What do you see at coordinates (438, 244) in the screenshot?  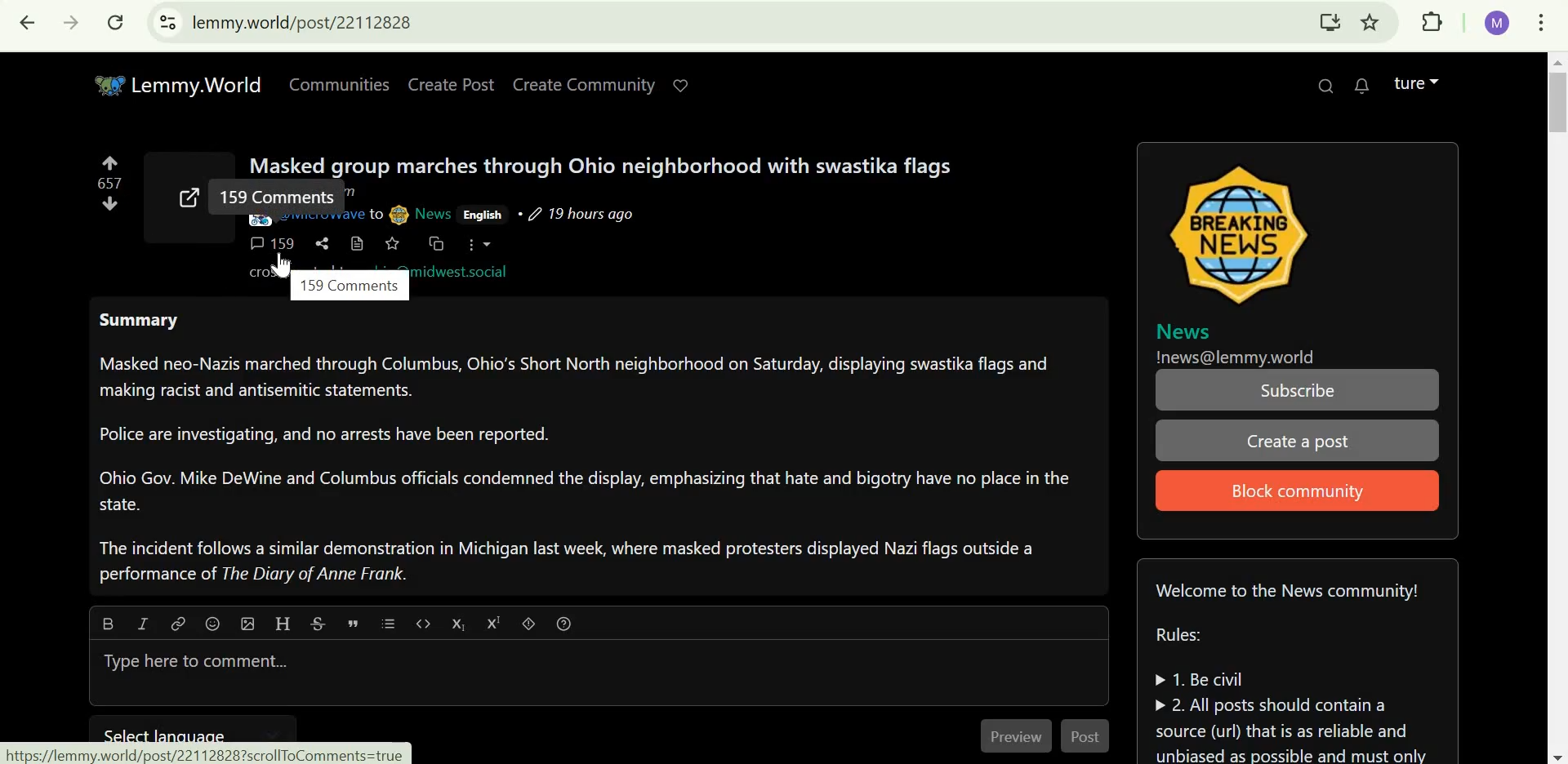 I see `cross-post` at bounding box center [438, 244].